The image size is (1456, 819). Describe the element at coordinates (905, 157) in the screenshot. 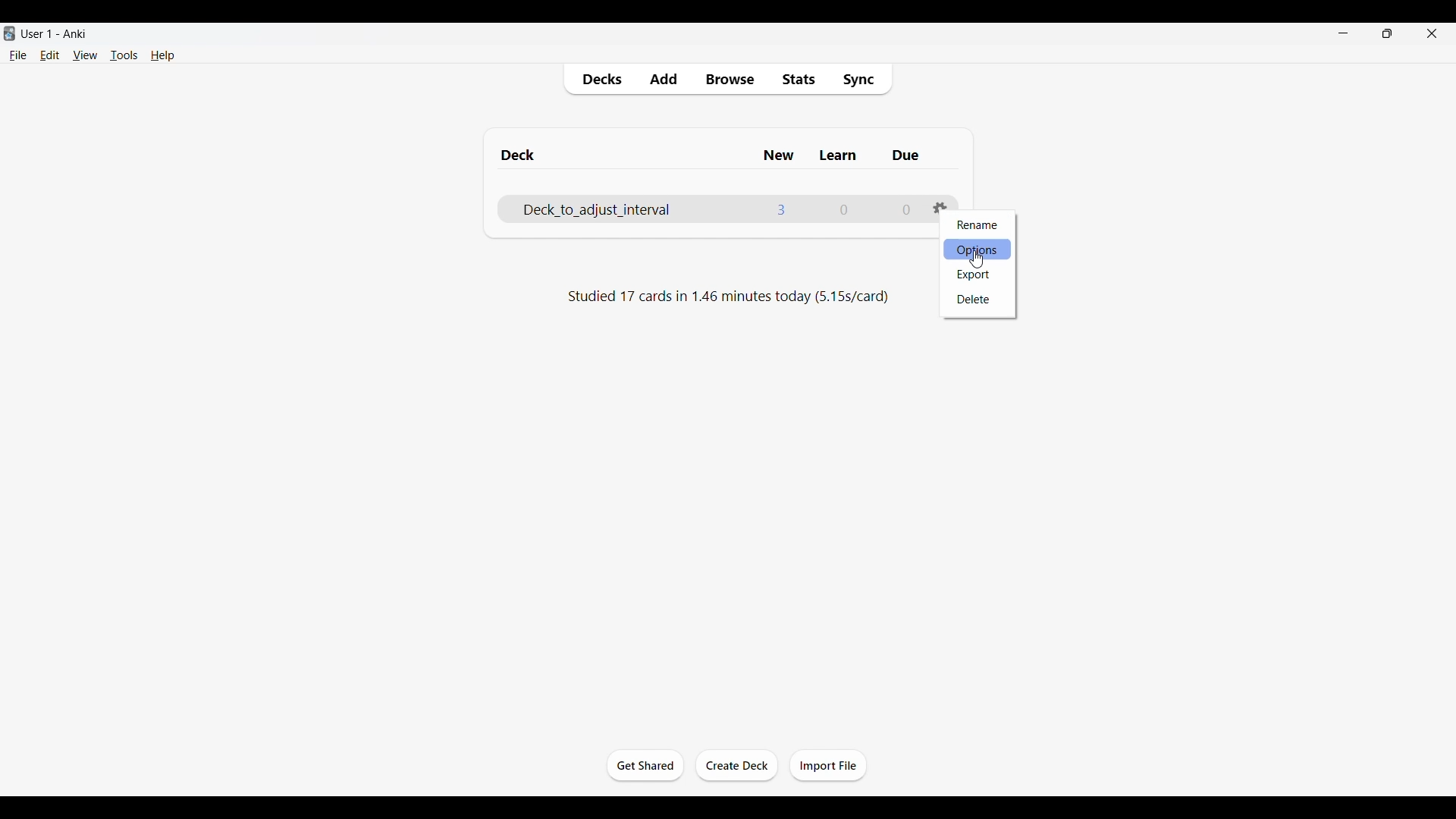

I see `Due column` at that location.